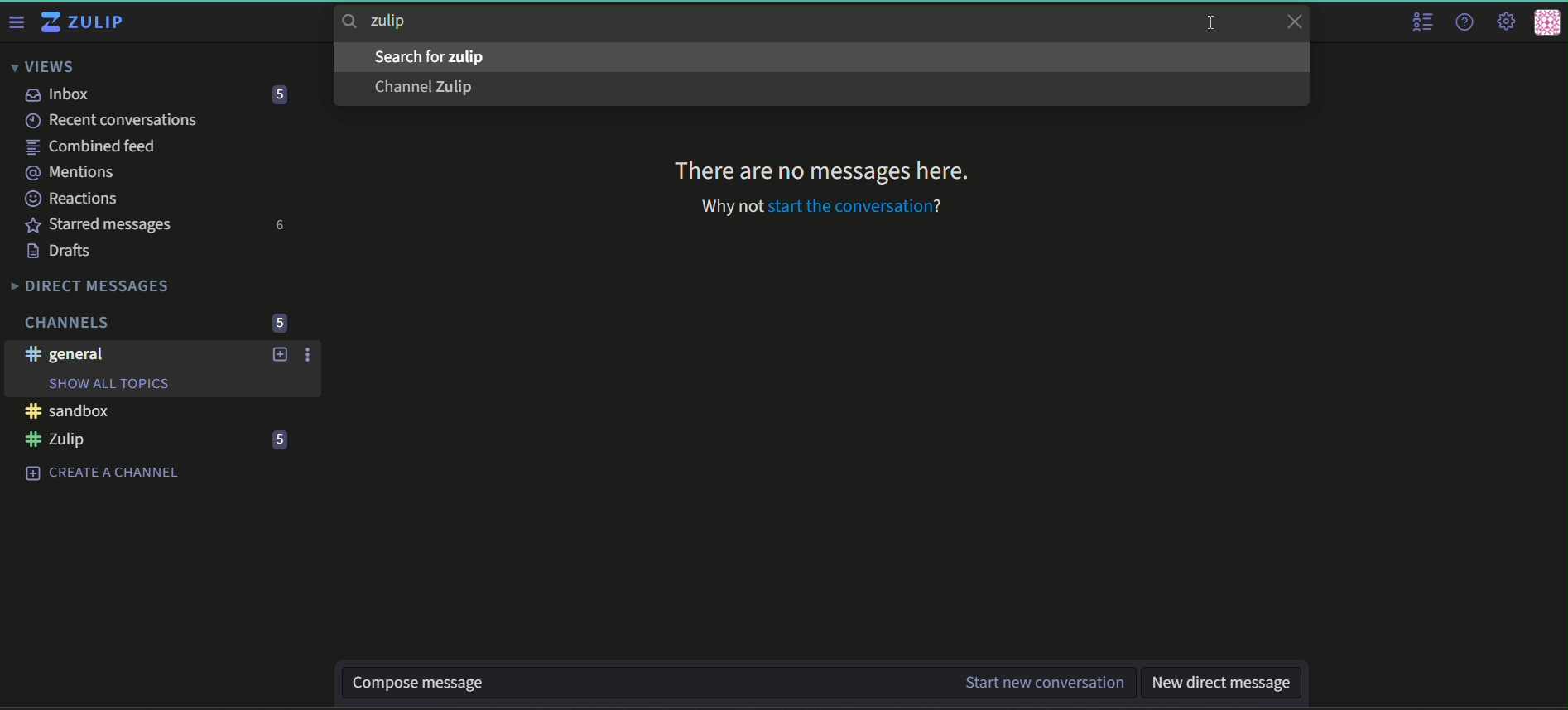 Image resolution: width=1568 pixels, height=710 pixels. What do you see at coordinates (281, 322) in the screenshot?
I see `number` at bounding box center [281, 322].